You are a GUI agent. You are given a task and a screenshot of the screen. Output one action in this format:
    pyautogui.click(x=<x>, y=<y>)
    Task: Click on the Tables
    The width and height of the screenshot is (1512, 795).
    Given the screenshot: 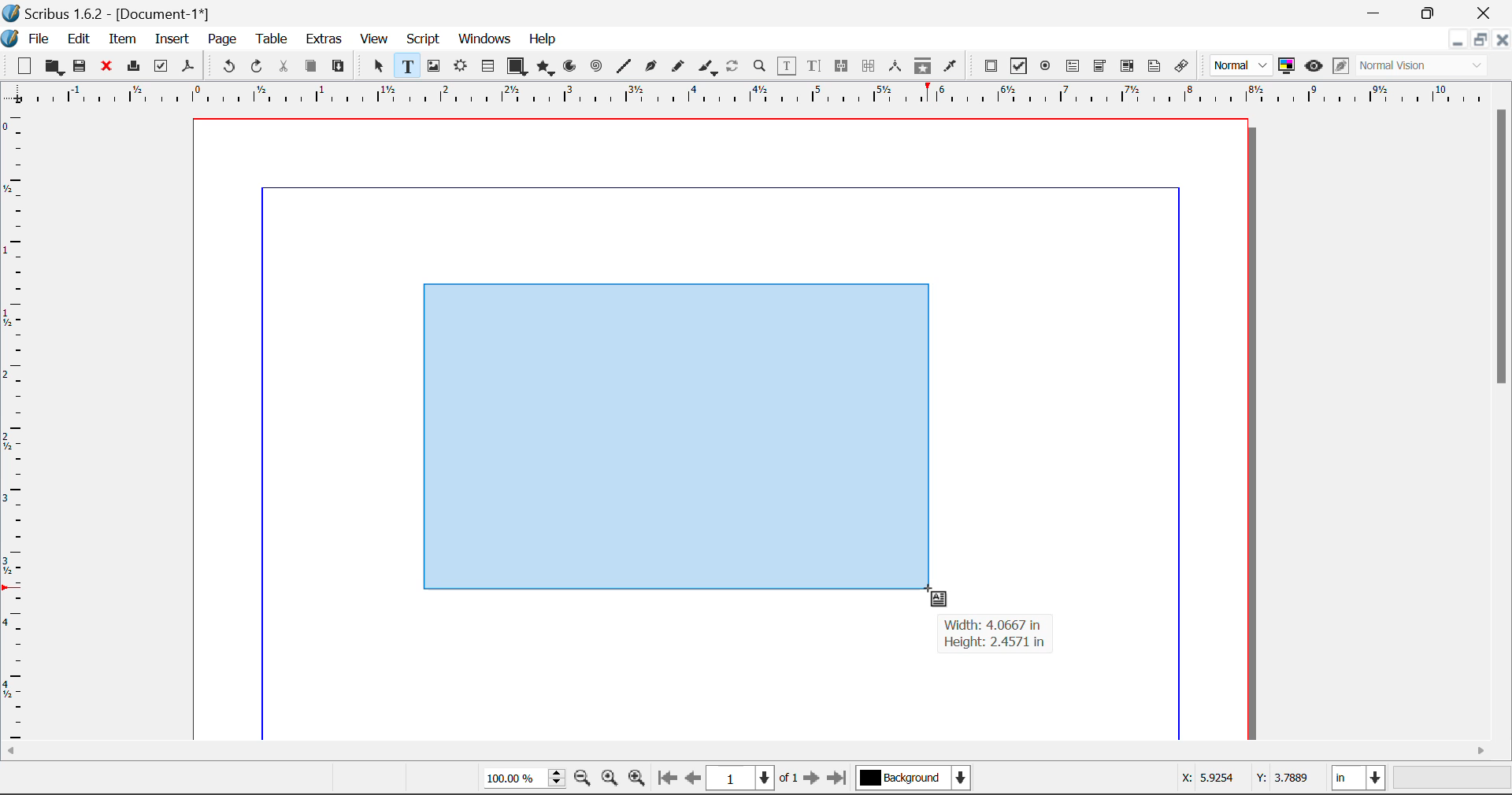 What is the action you would take?
    pyautogui.click(x=487, y=66)
    